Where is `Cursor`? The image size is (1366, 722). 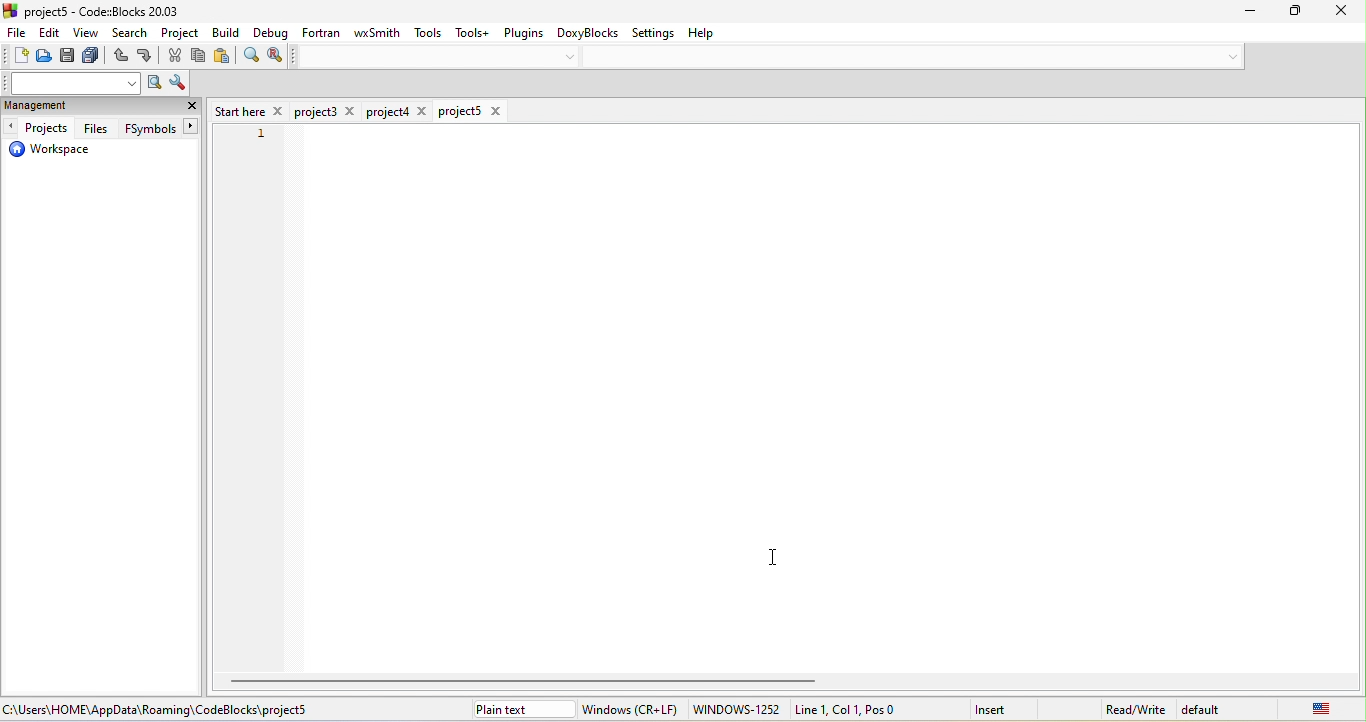
Cursor is located at coordinates (774, 559).